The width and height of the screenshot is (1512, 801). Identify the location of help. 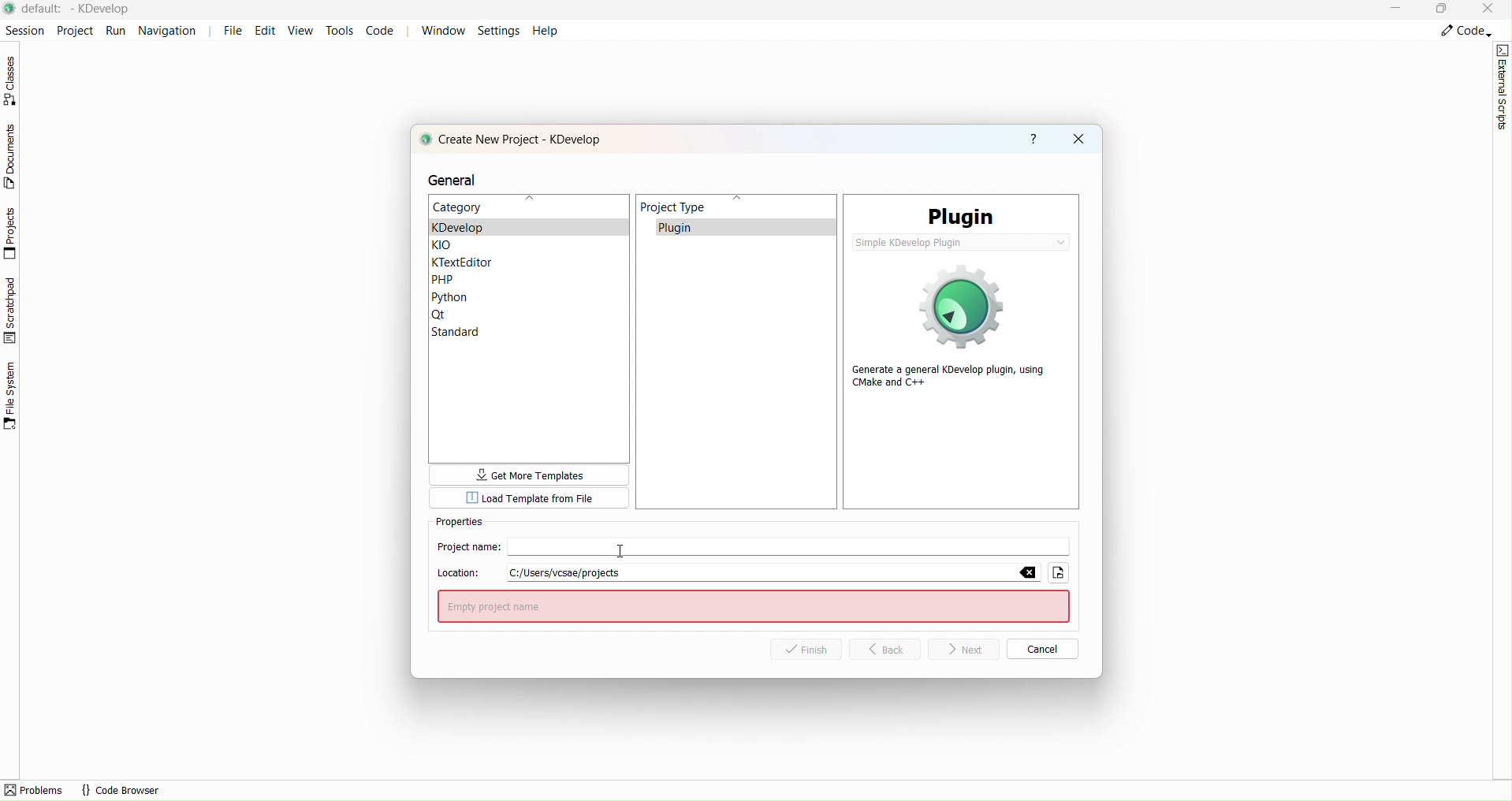
(1033, 140).